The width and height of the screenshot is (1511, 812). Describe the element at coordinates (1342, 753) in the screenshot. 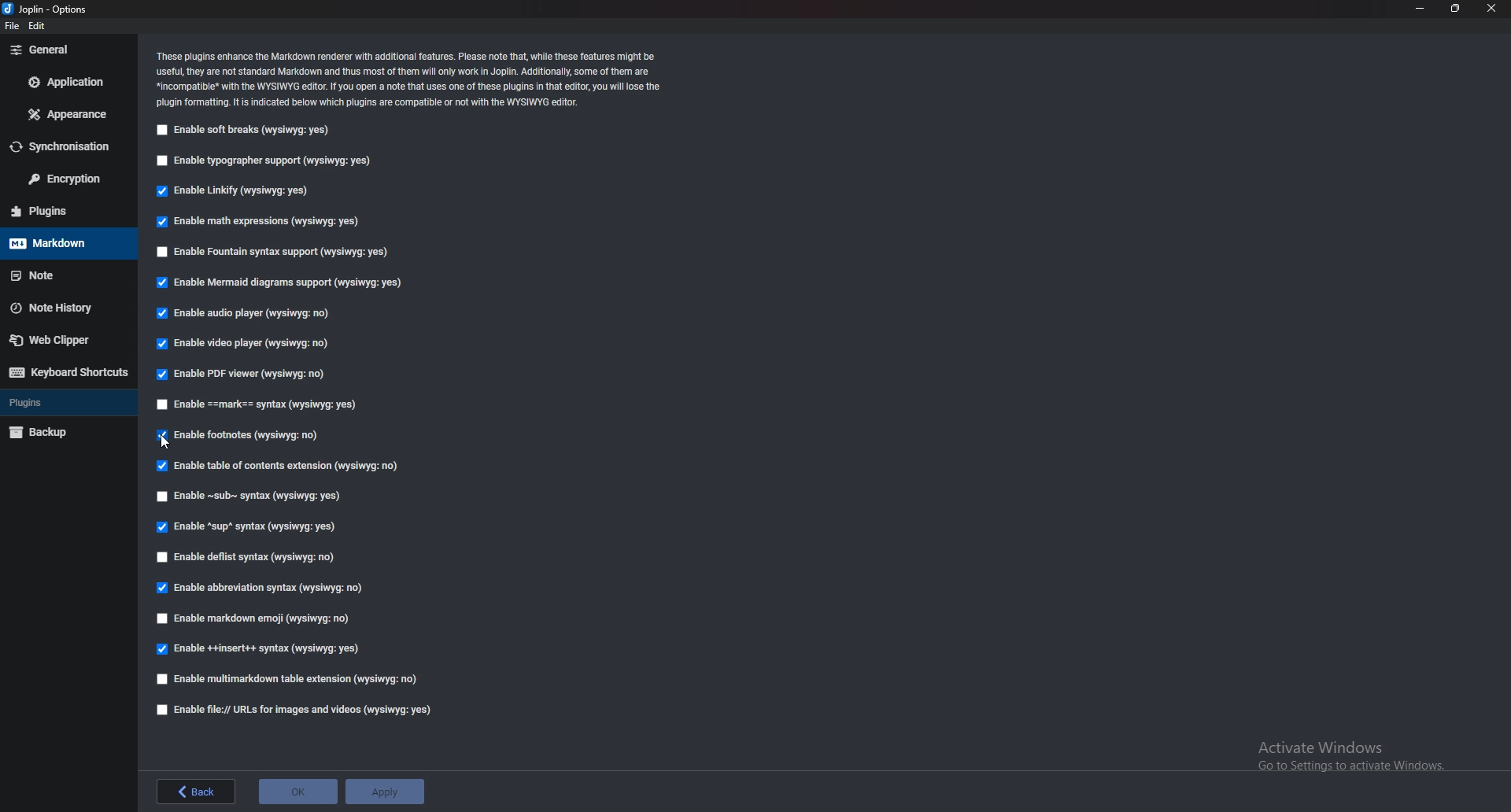

I see `Activate Windows
Go to Settings to activate Windows.` at that location.